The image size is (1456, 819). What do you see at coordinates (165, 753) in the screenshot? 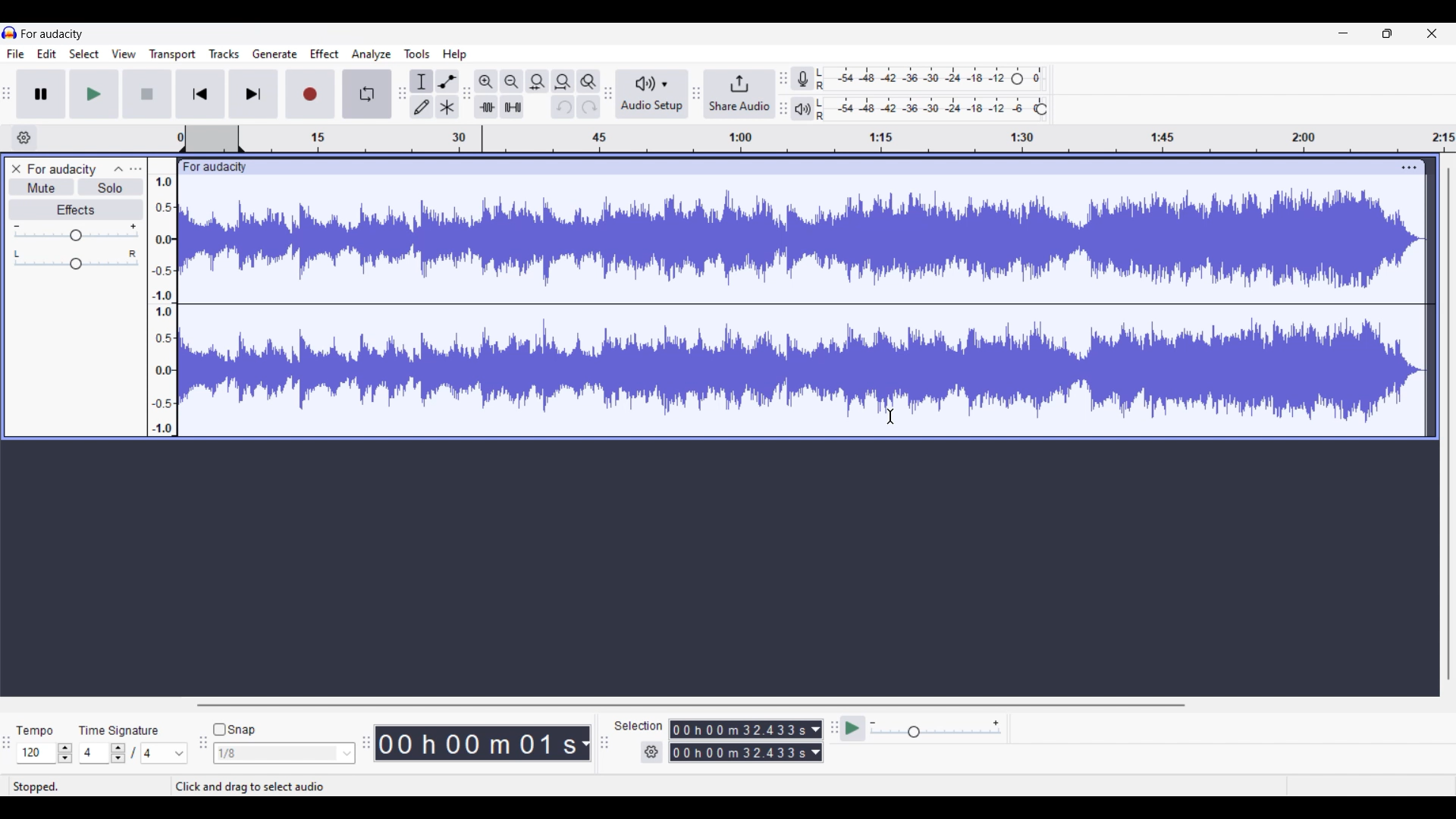
I see `Options for max. time signature` at bounding box center [165, 753].